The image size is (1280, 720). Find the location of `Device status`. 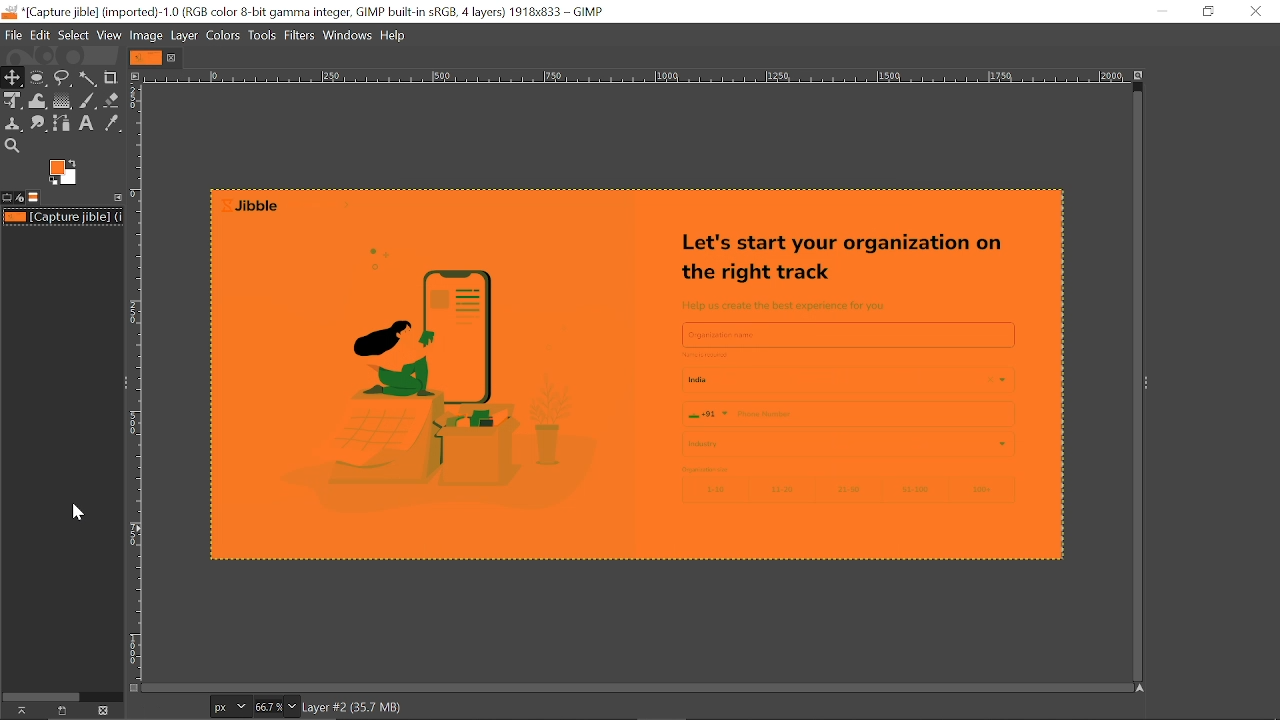

Device status is located at coordinates (20, 198).